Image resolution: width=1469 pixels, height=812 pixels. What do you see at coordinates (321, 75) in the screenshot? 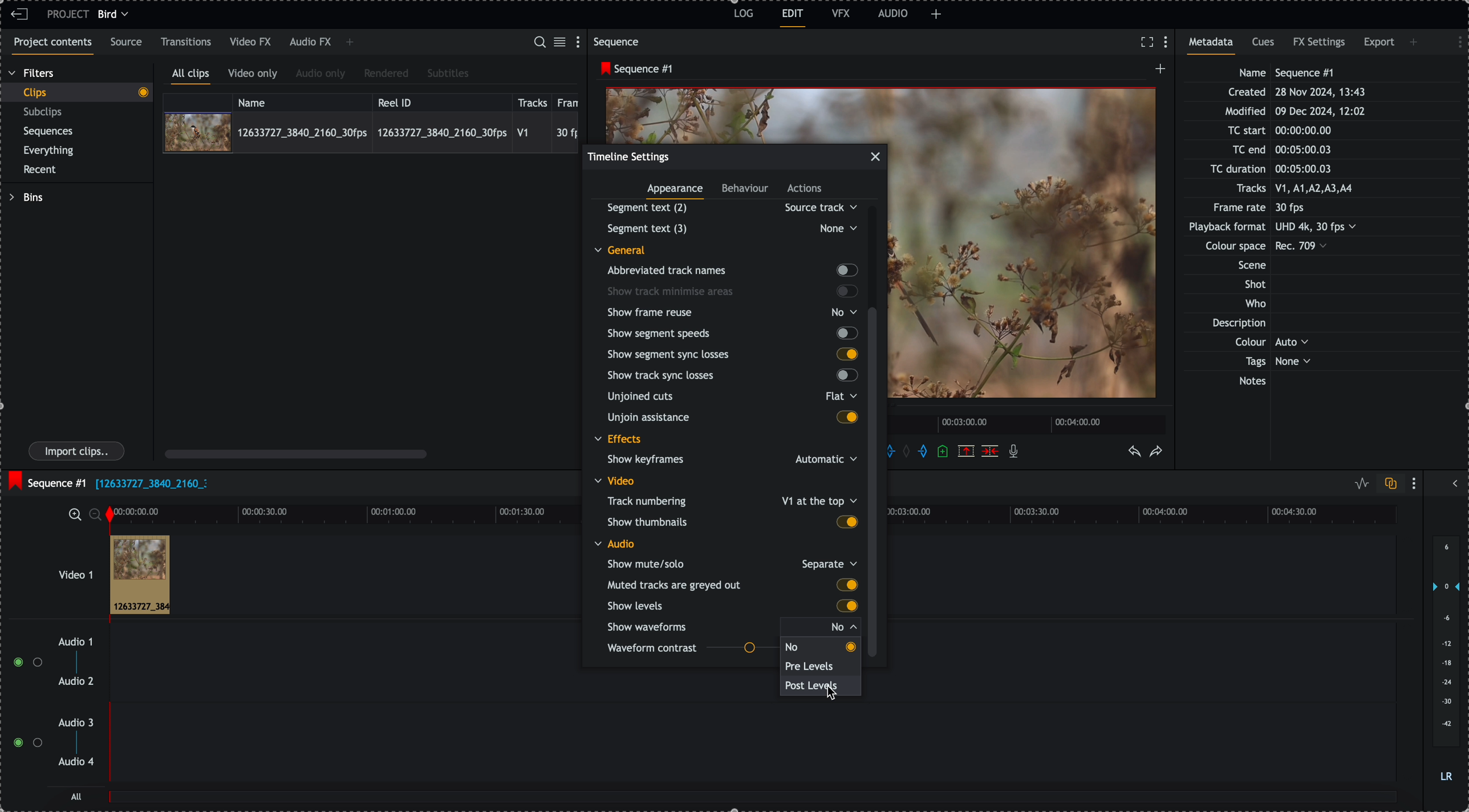
I see `audio only` at bounding box center [321, 75].